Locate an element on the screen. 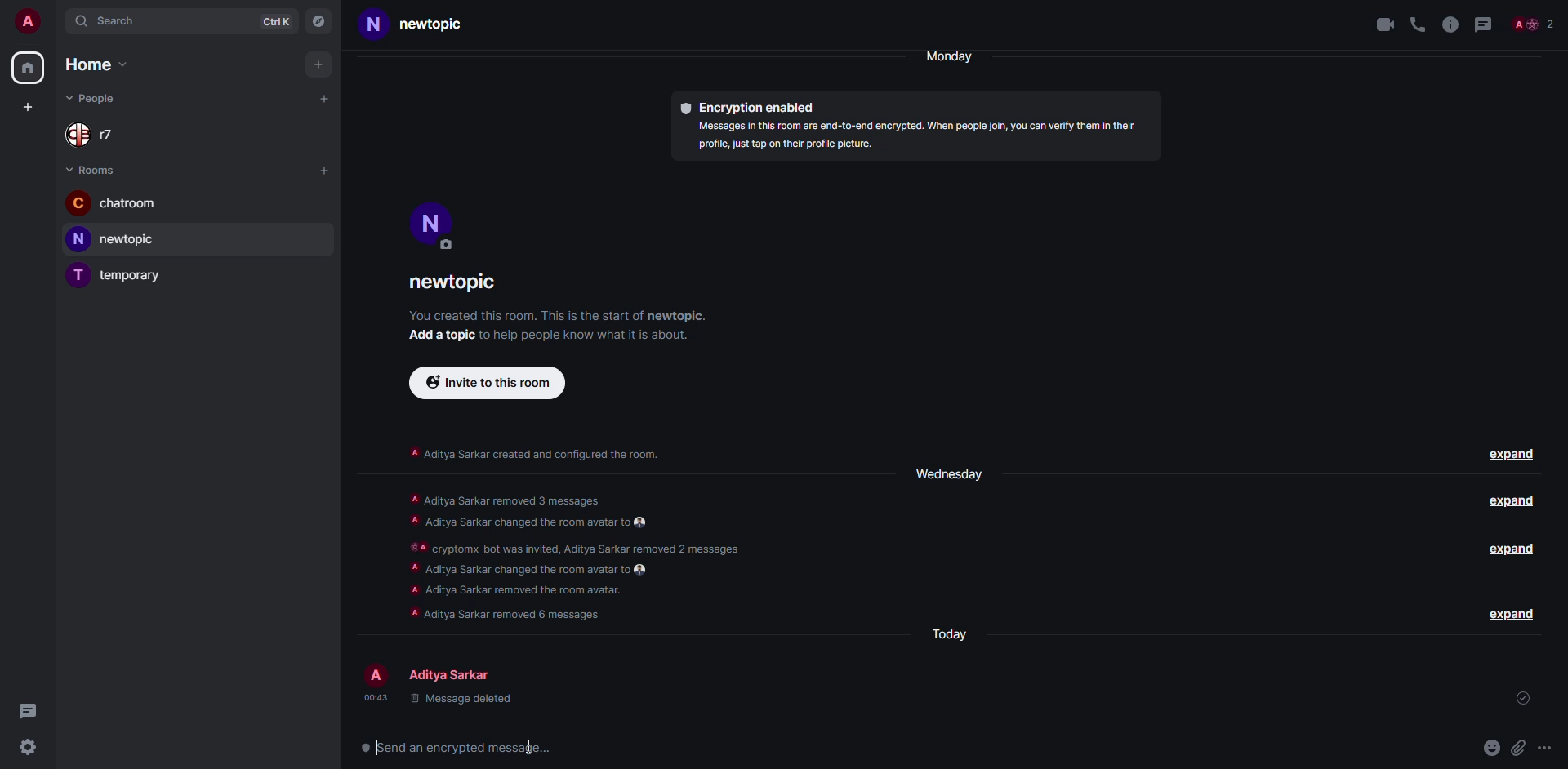 Image resolution: width=1568 pixels, height=769 pixels. time is located at coordinates (374, 697).